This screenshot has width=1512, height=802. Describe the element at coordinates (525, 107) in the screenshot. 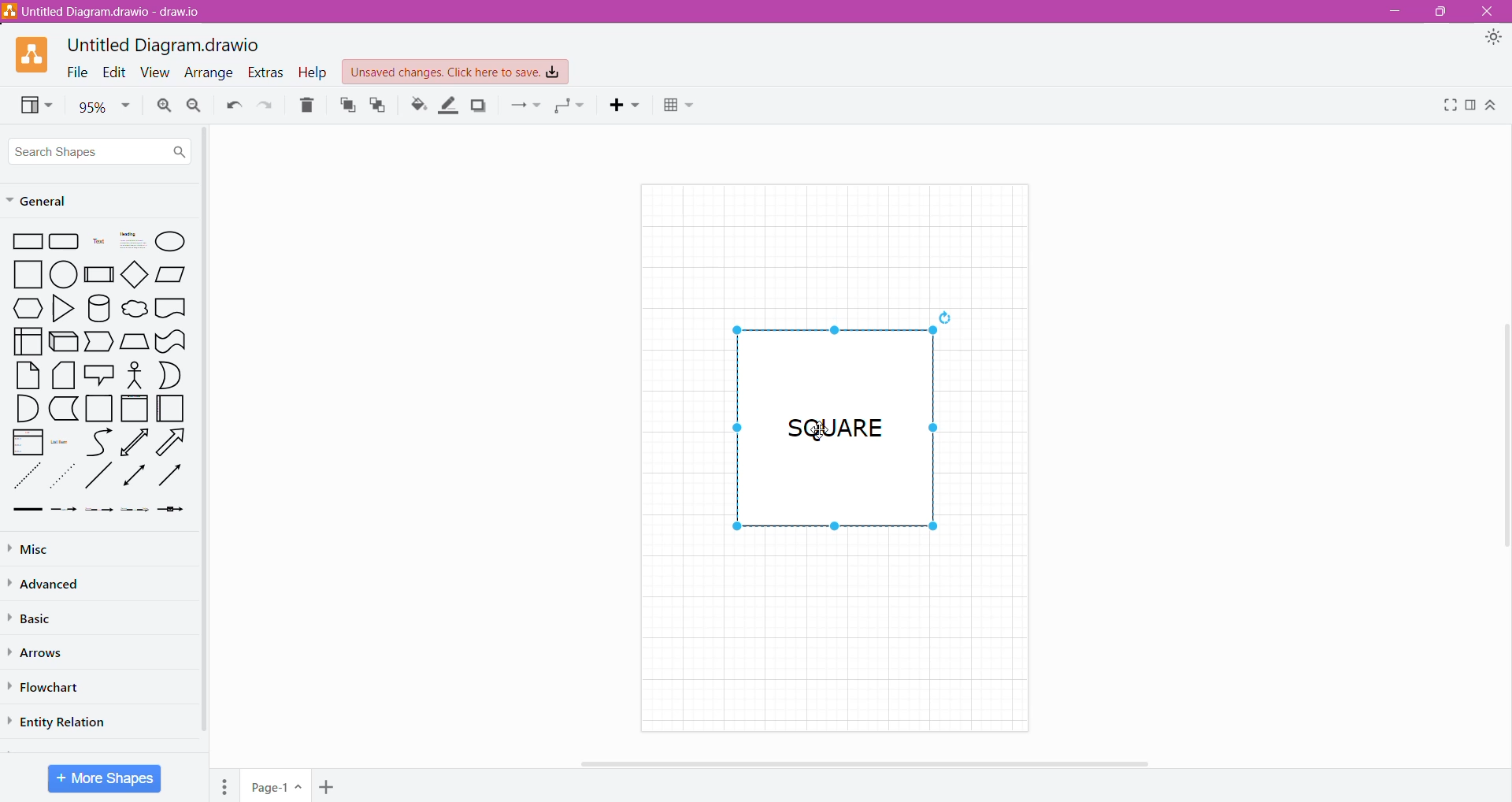

I see `Connection` at that location.